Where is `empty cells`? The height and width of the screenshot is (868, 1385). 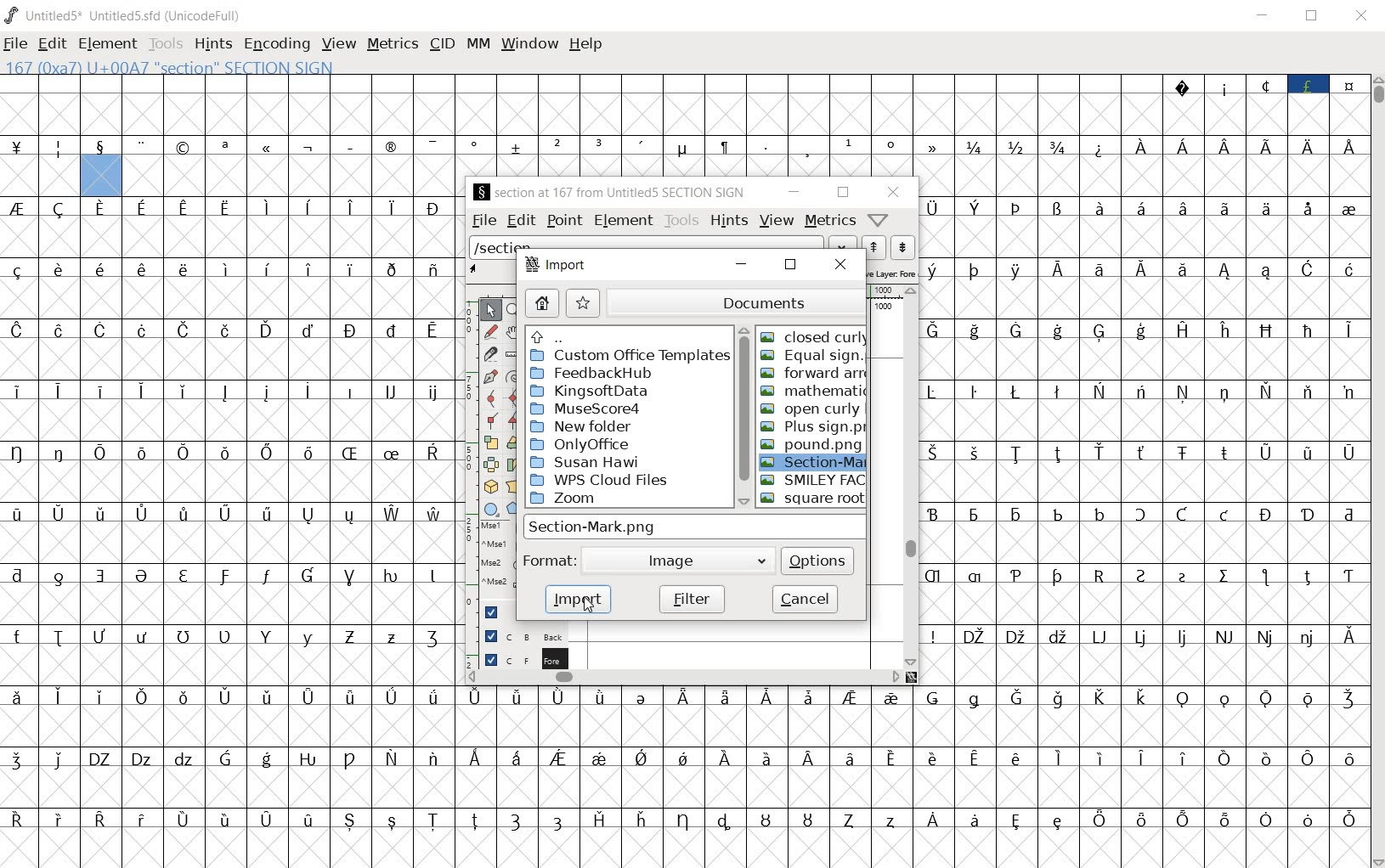 empty cells is located at coordinates (1145, 177).